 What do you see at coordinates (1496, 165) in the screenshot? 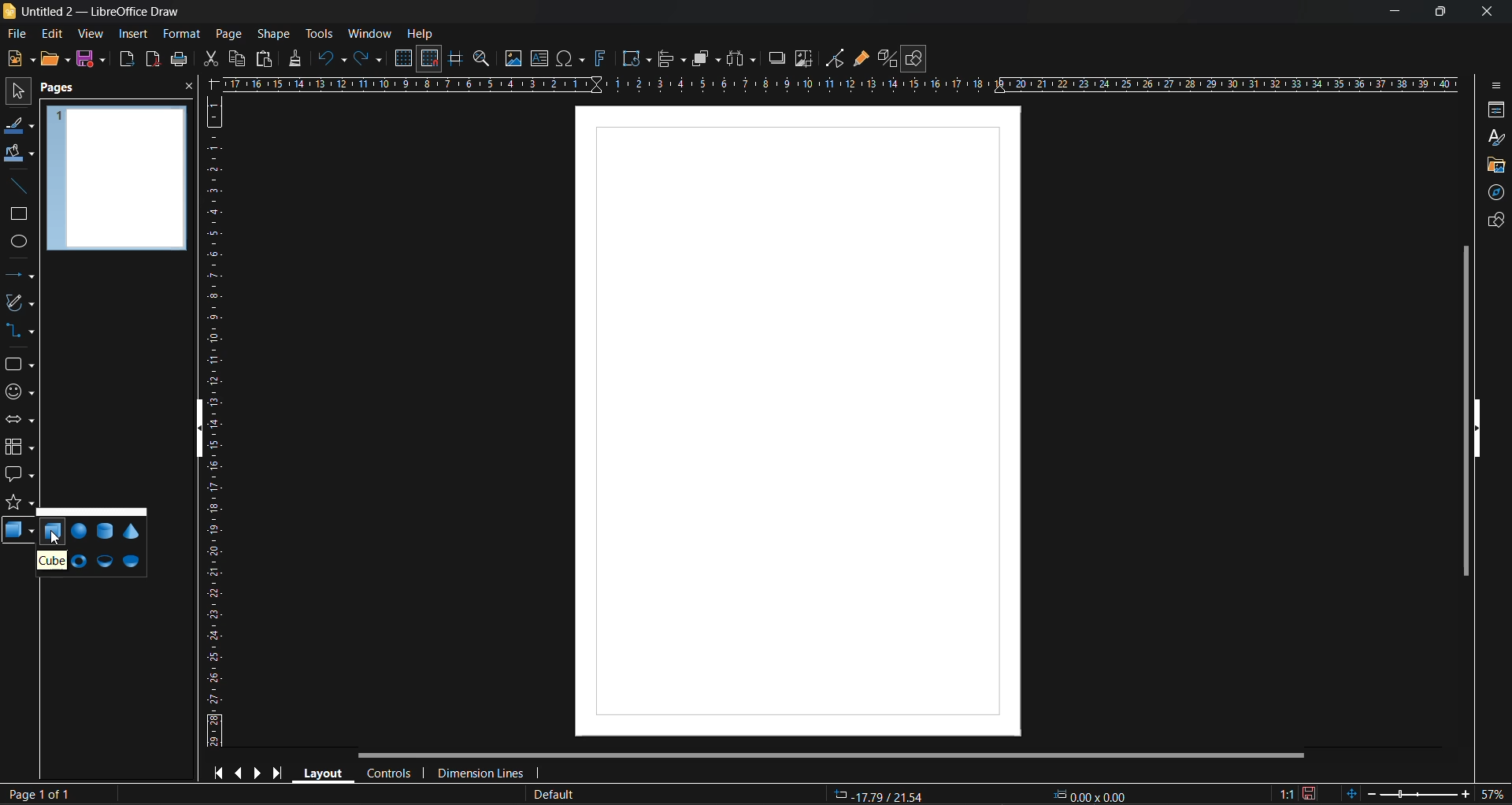
I see `gallery` at bounding box center [1496, 165].